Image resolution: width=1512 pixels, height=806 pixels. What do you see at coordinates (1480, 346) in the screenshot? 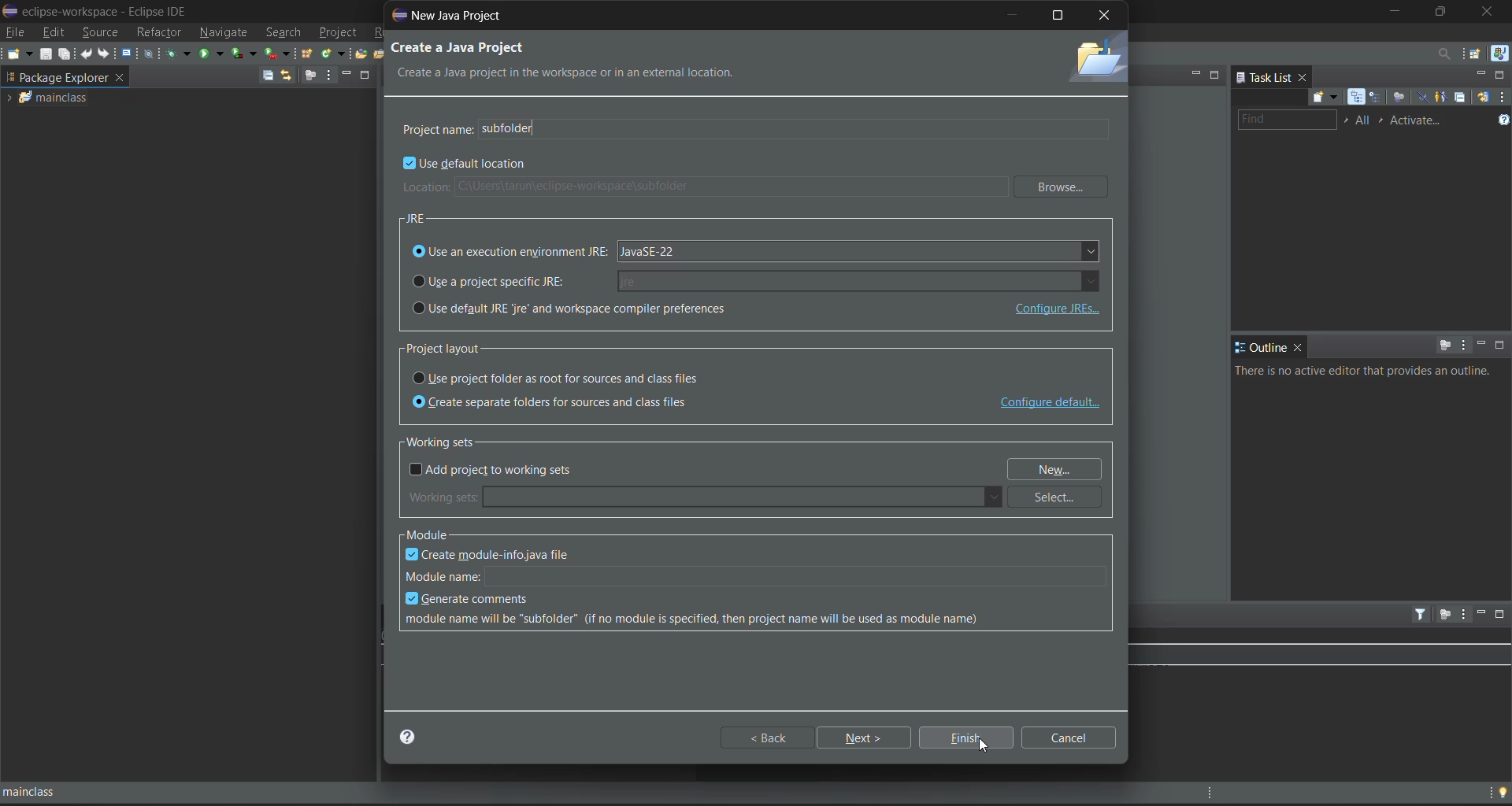
I see `minimize` at bounding box center [1480, 346].